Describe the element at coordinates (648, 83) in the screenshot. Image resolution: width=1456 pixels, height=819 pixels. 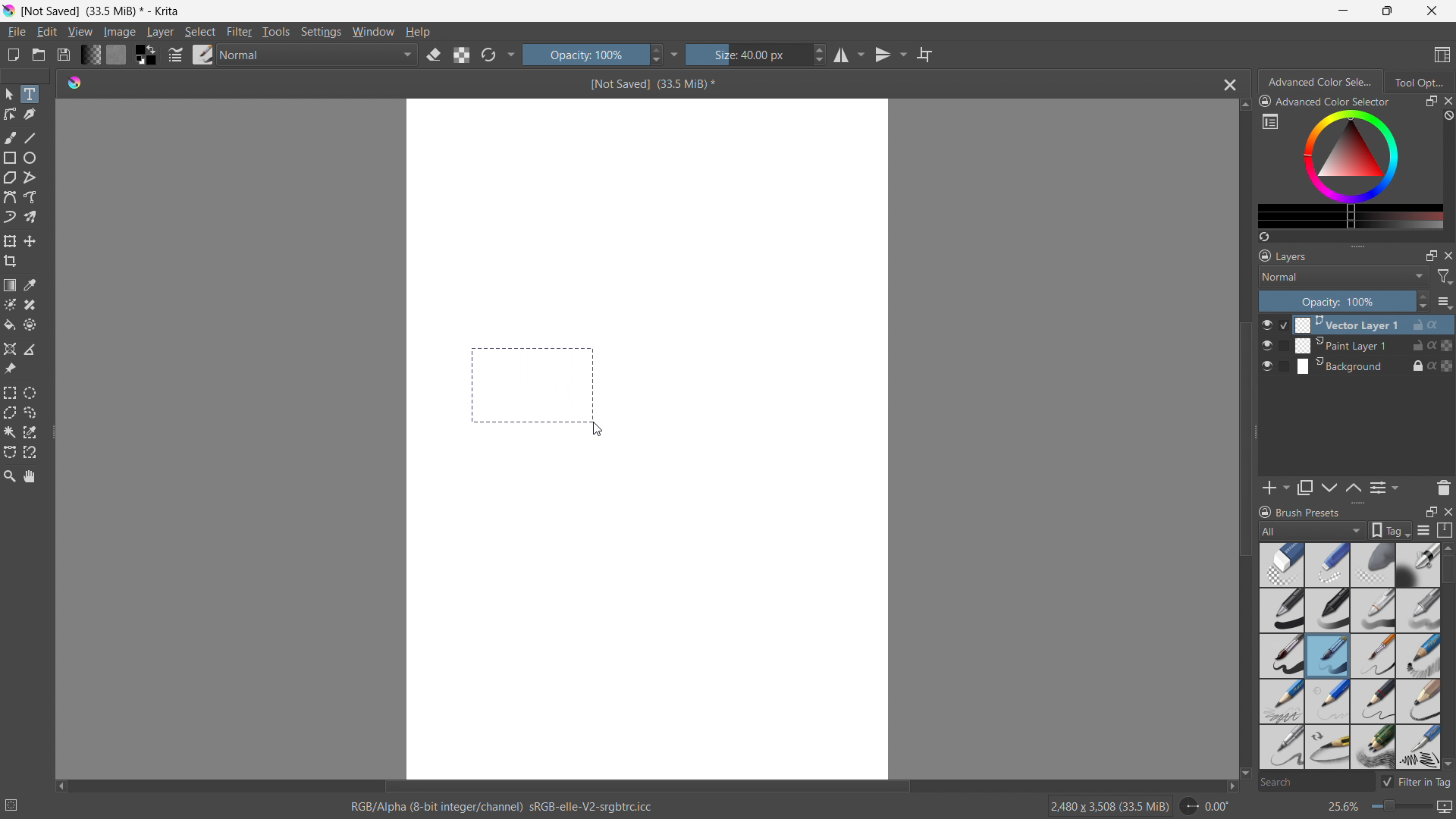
I see `Not saved(33.5 Mib` at that location.